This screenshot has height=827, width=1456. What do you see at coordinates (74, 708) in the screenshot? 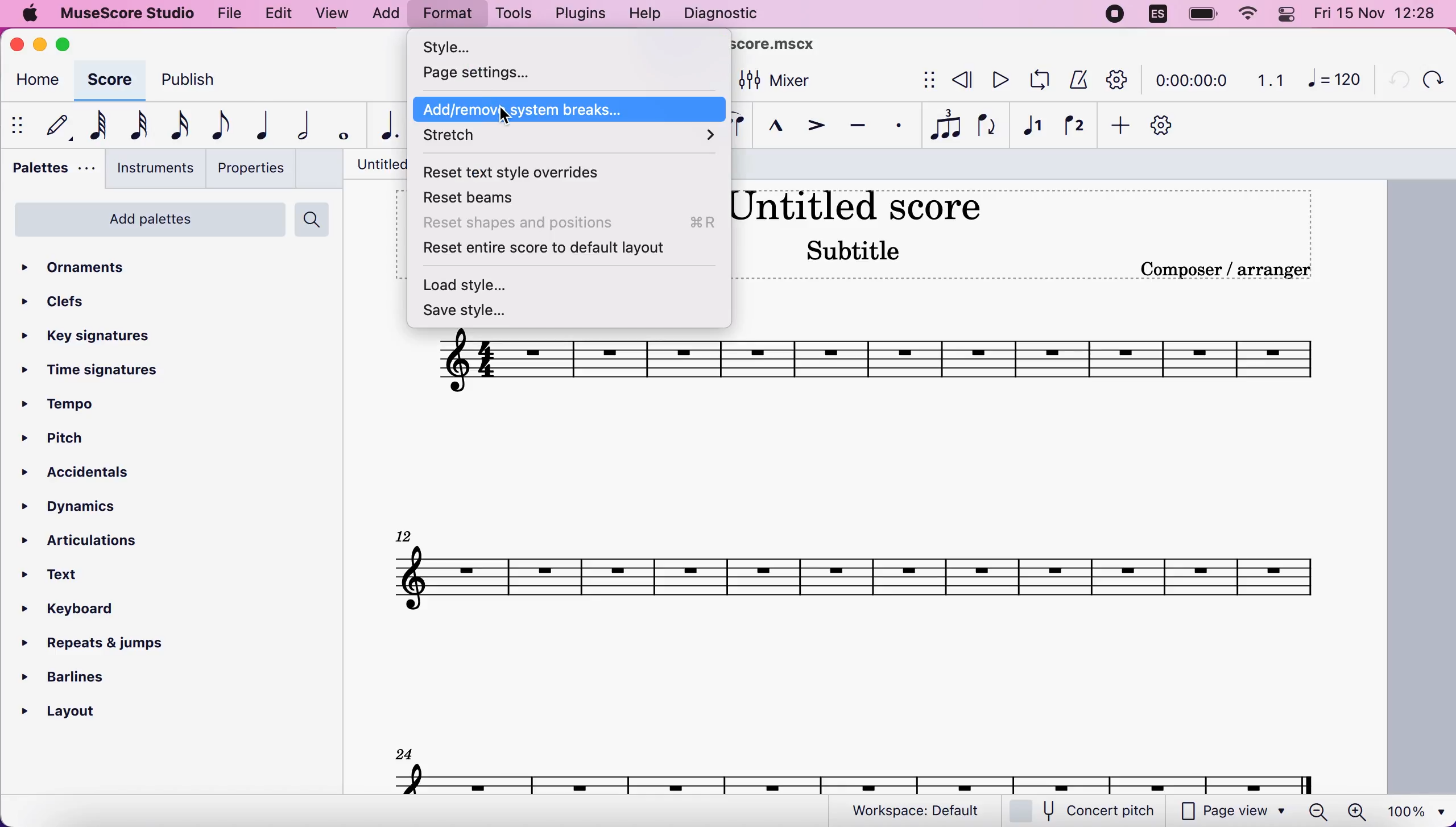
I see `layout` at bounding box center [74, 708].